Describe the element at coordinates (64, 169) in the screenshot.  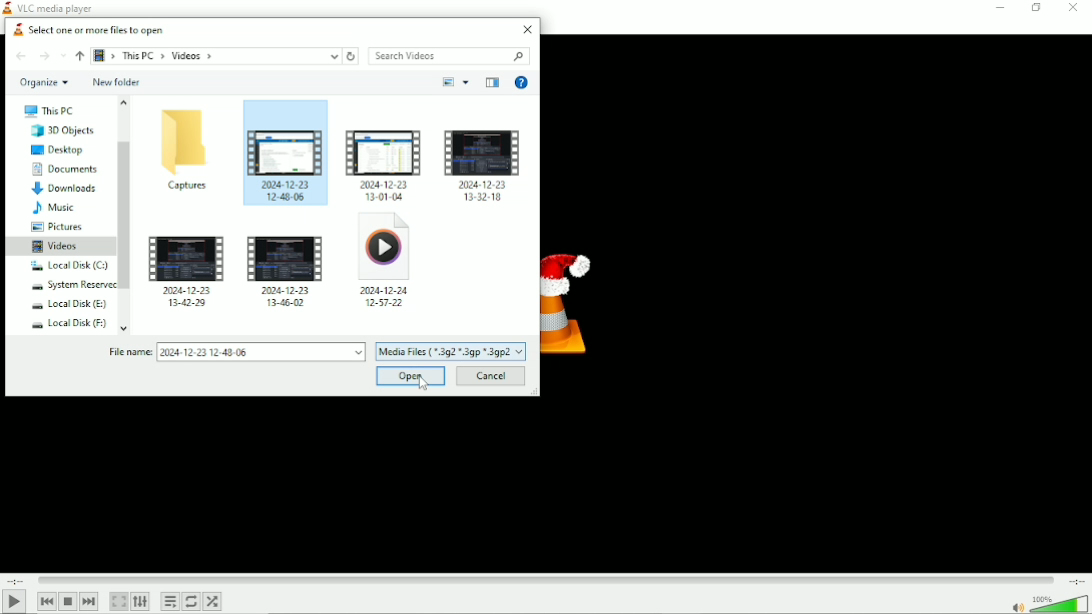
I see `Documents` at that location.